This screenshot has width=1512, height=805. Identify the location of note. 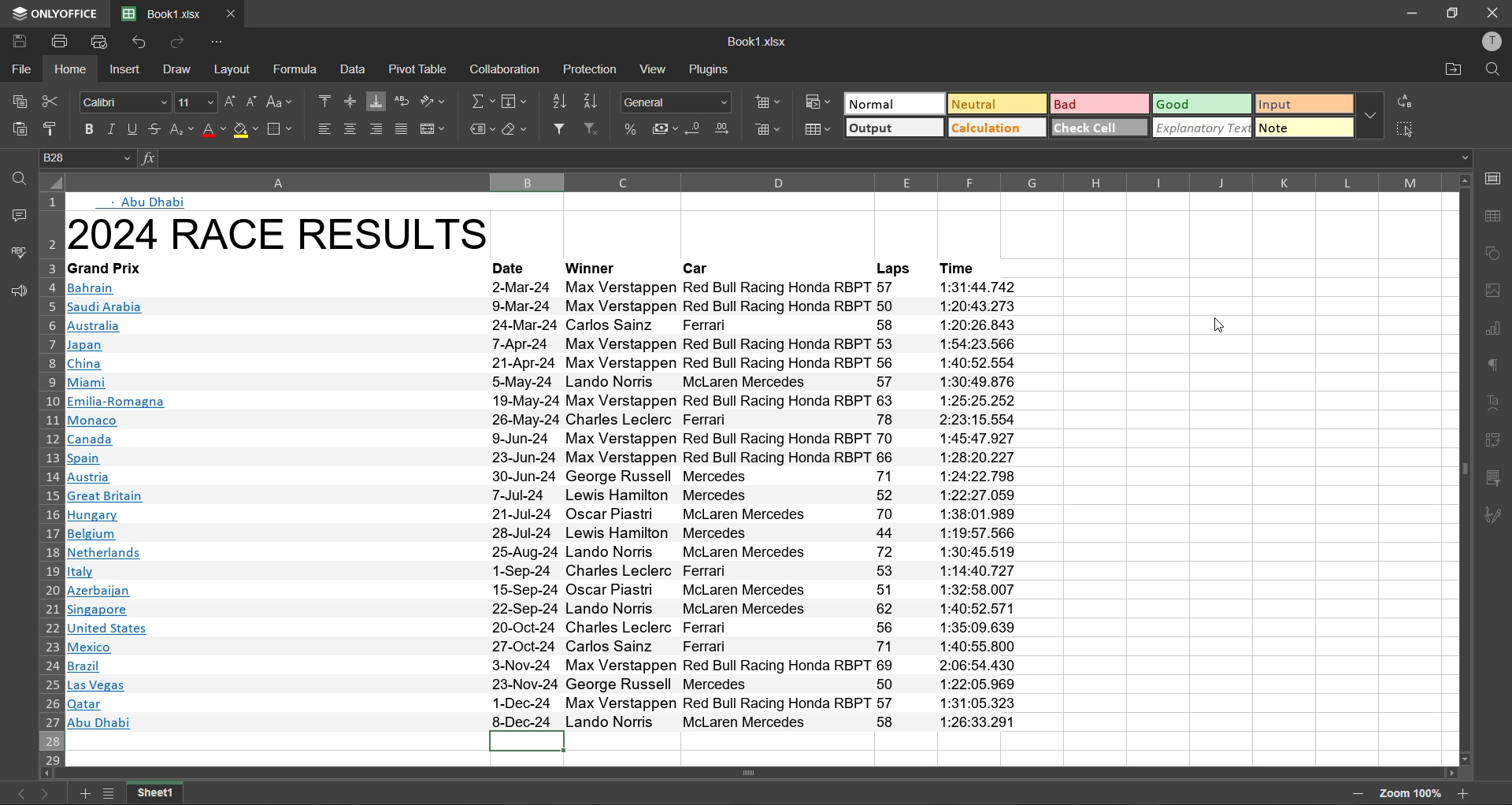
(1304, 128).